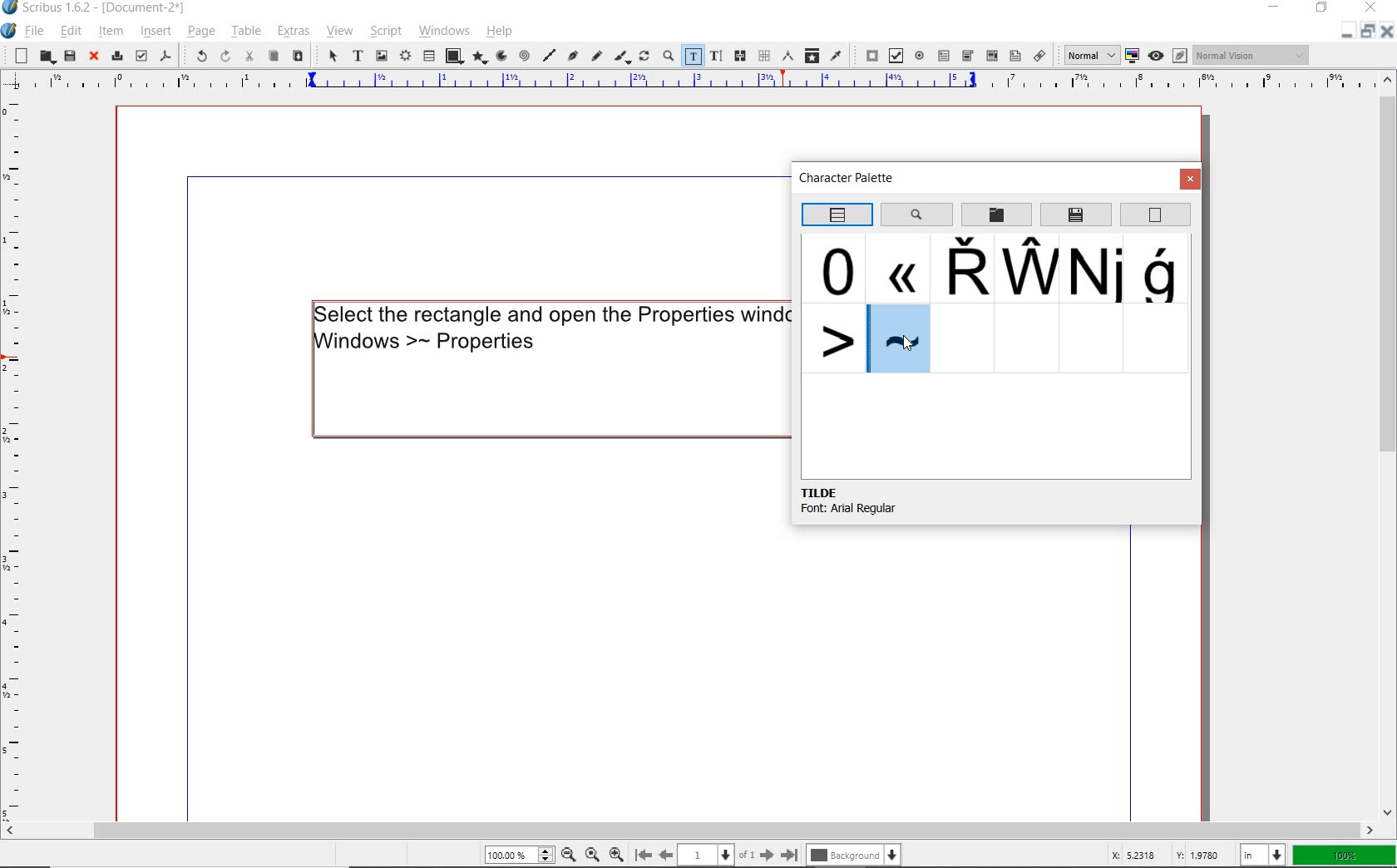 The image size is (1397, 868). I want to click on show/hide enhanced palette, so click(836, 215).